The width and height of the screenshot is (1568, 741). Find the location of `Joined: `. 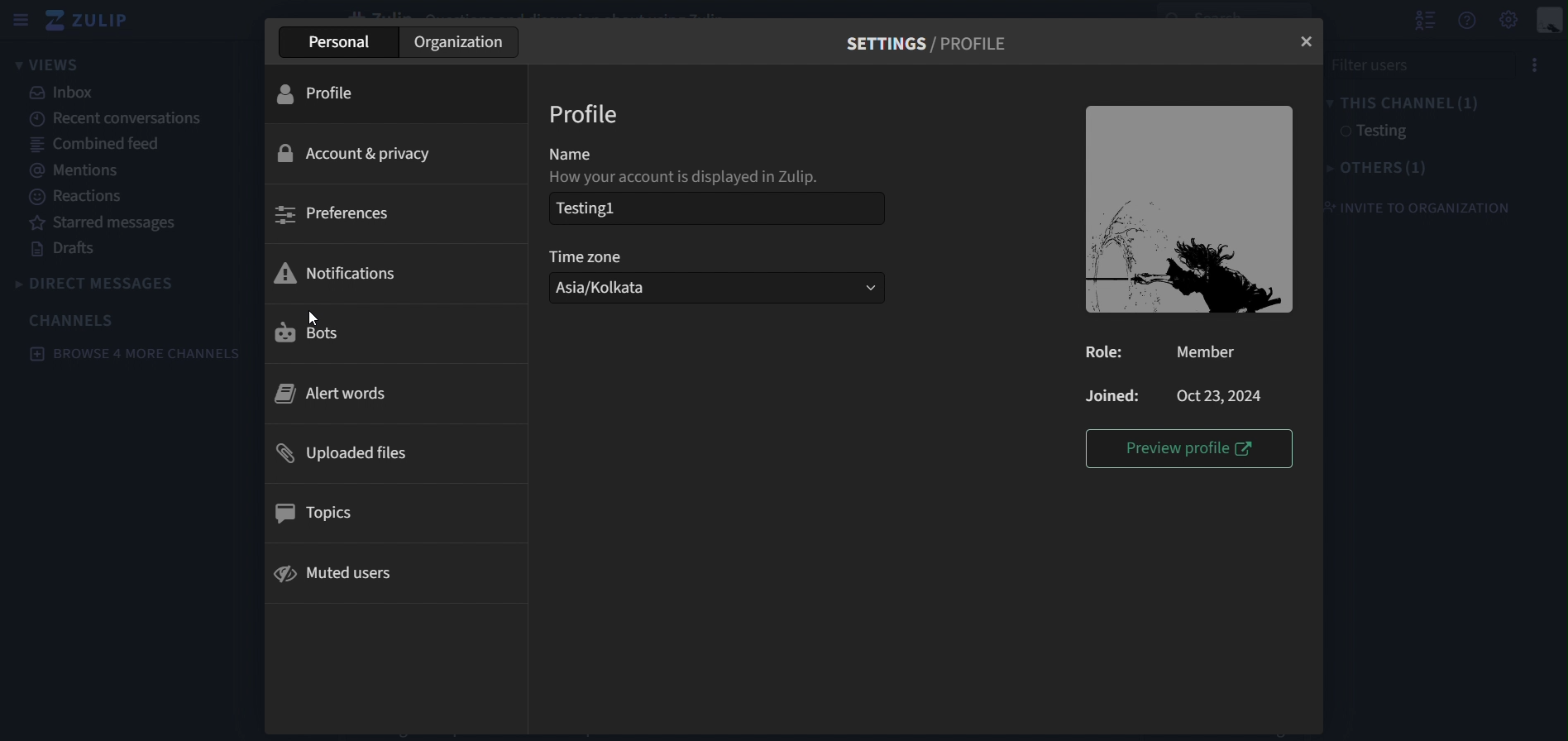

Joined:  is located at coordinates (1112, 394).